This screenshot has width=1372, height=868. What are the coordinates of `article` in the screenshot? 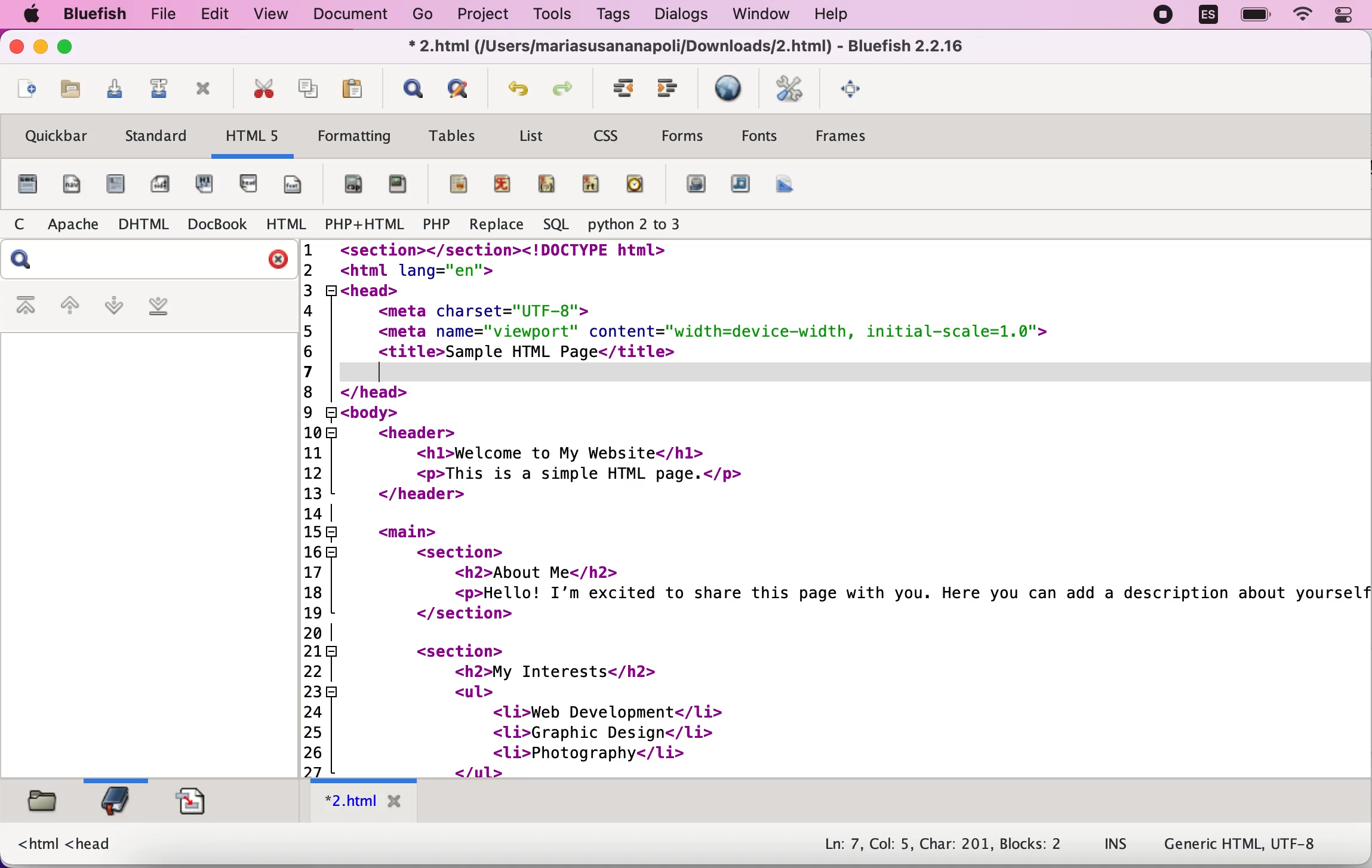 It's located at (118, 186).